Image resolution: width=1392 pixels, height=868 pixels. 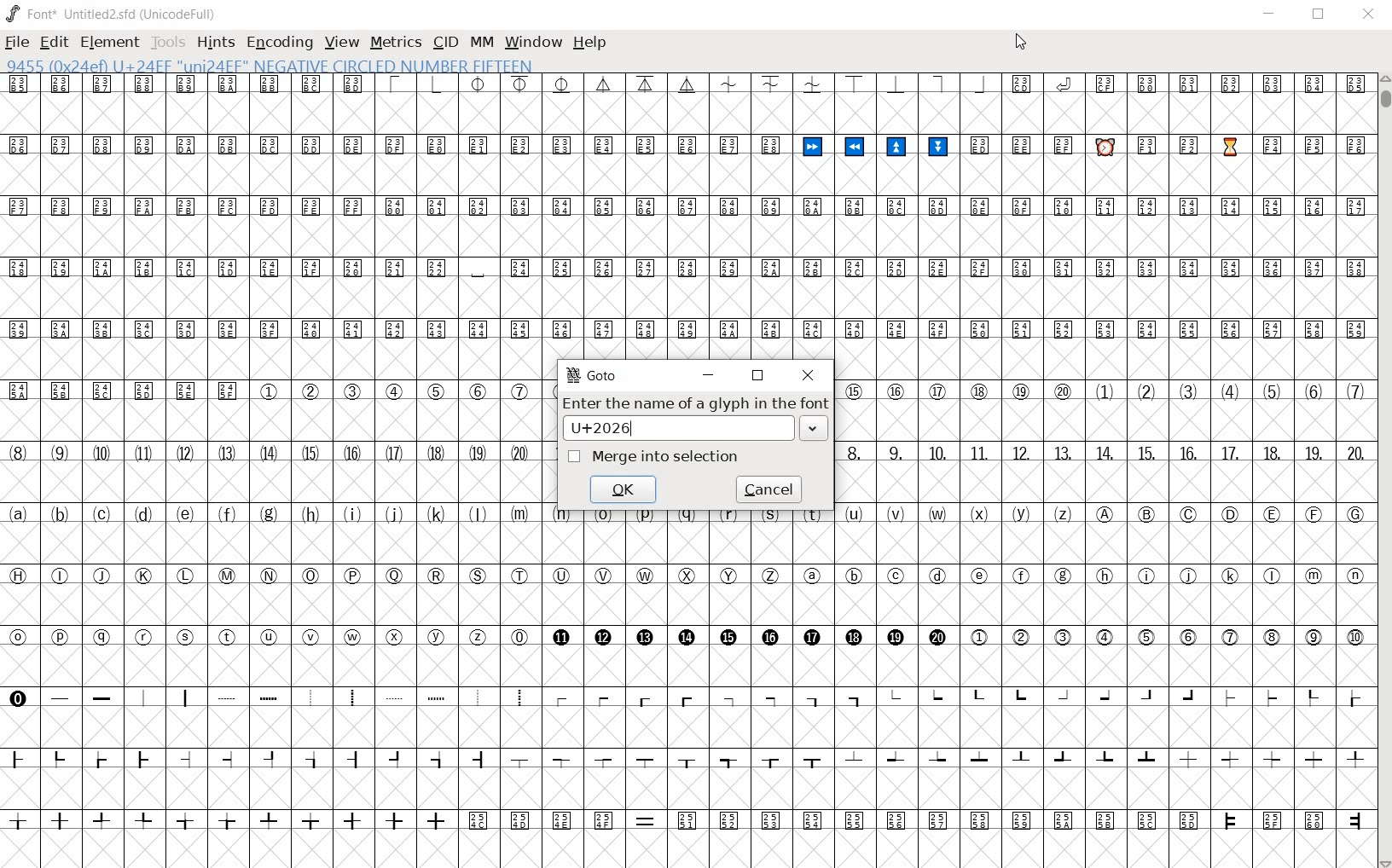 What do you see at coordinates (1319, 14) in the screenshot?
I see `RESTORE` at bounding box center [1319, 14].